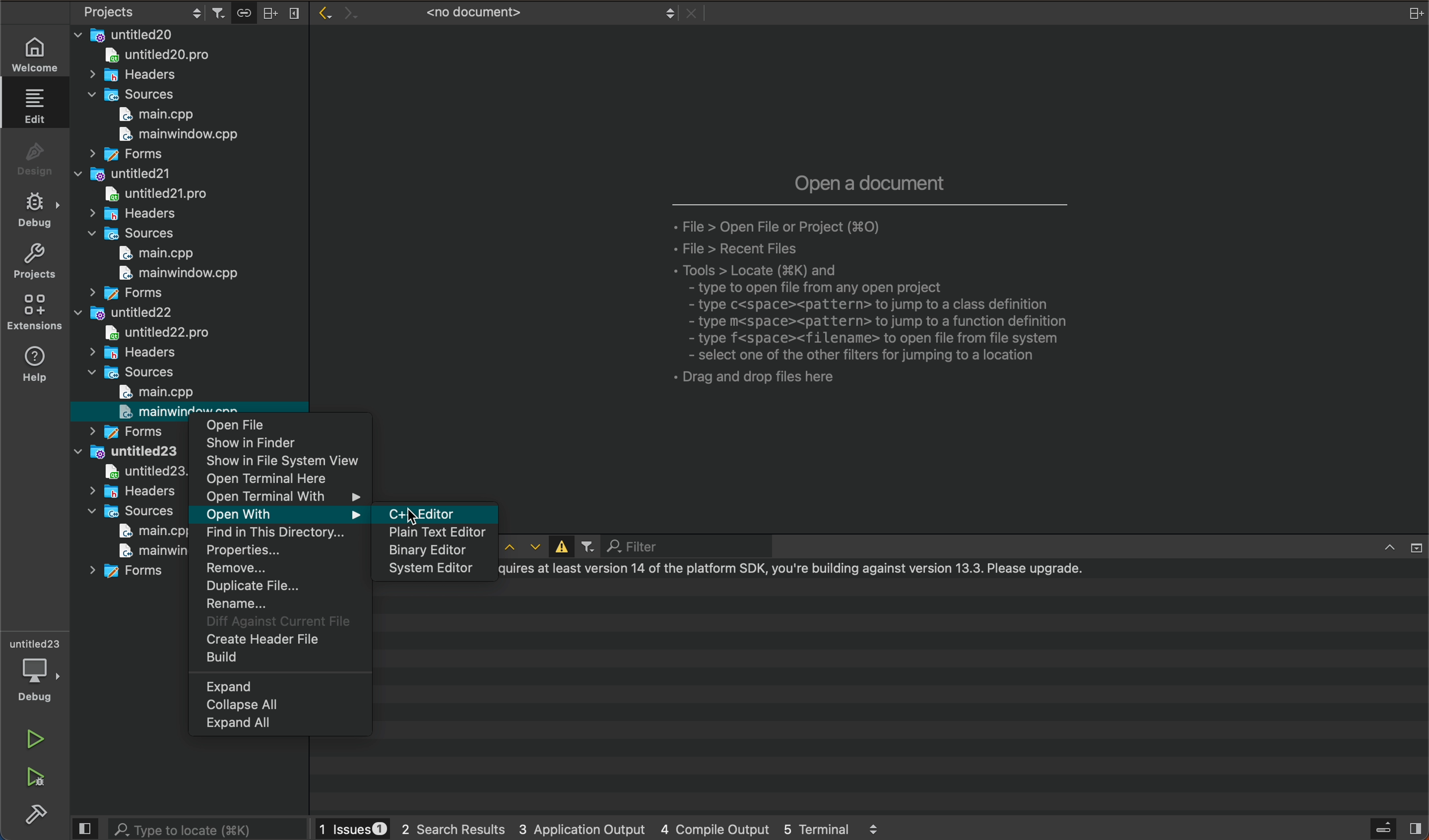 This screenshot has height=840, width=1429. I want to click on mainwindow, so click(170, 274).